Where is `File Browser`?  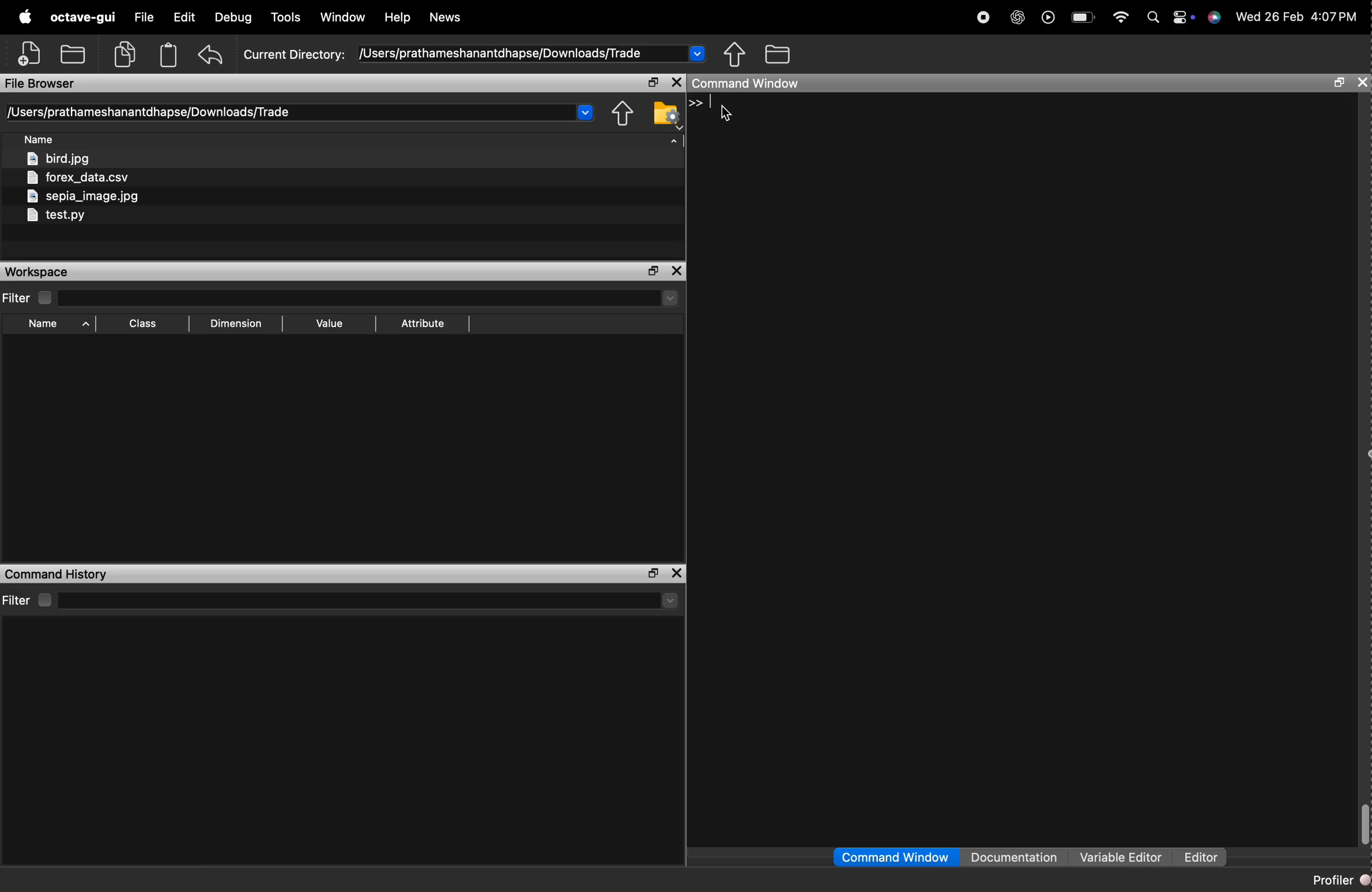
File Browser is located at coordinates (42, 84).